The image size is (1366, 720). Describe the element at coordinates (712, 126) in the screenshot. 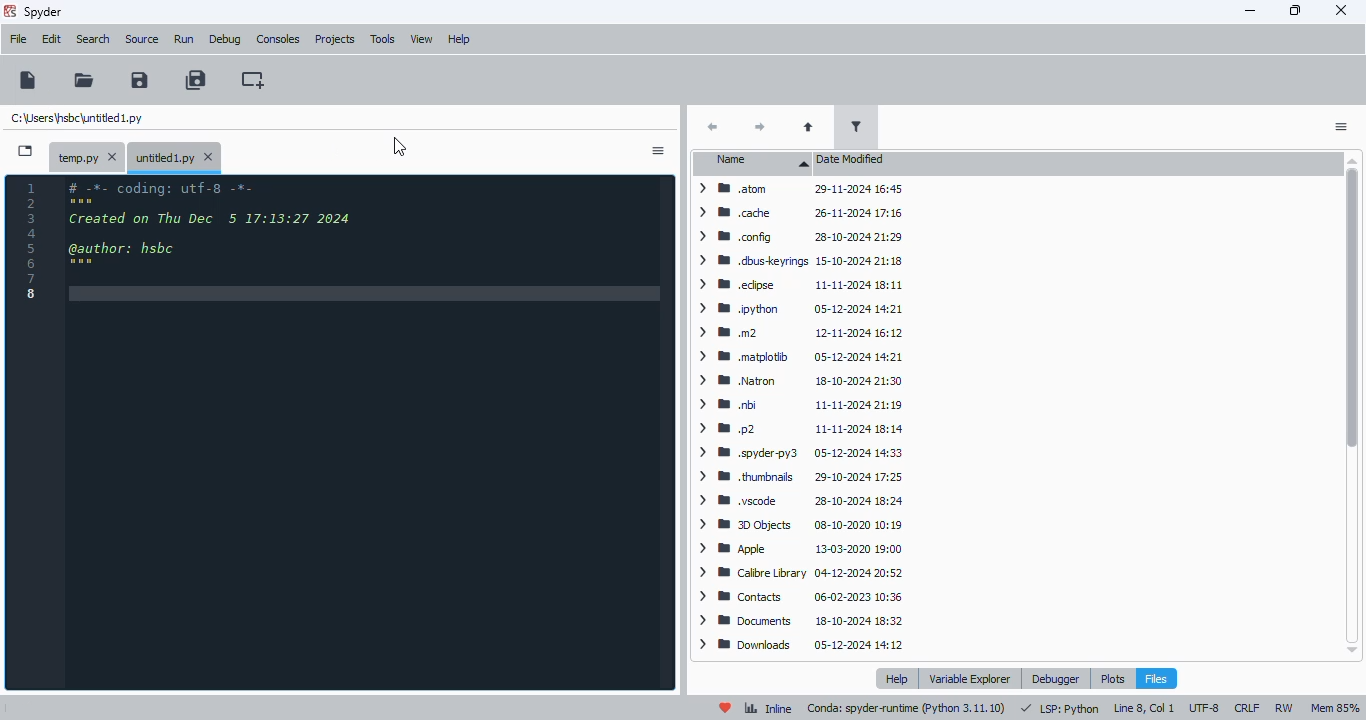

I see `back` at that location.